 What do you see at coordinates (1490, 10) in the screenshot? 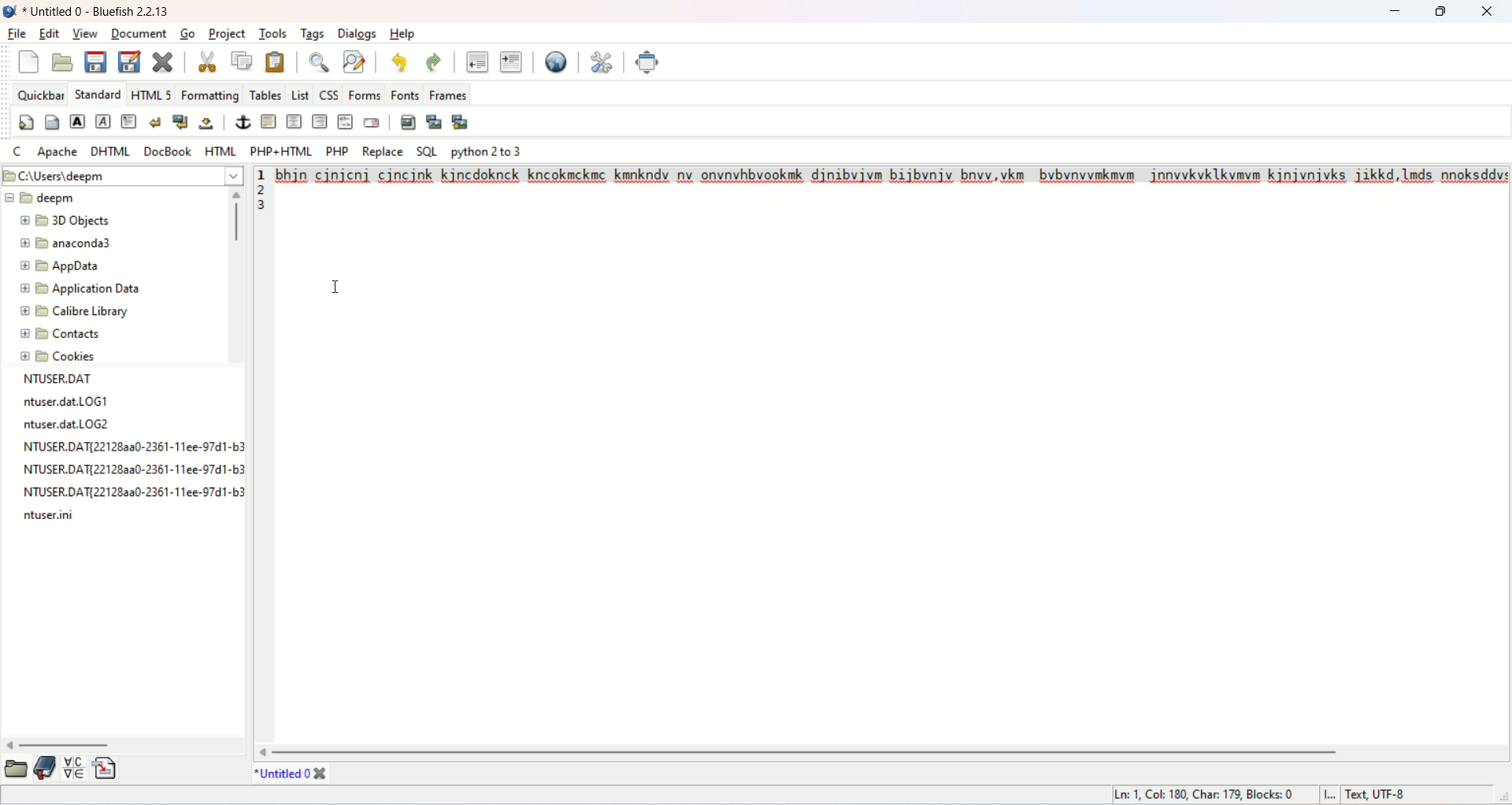
I see `close` at bounding box center [1490, 10].